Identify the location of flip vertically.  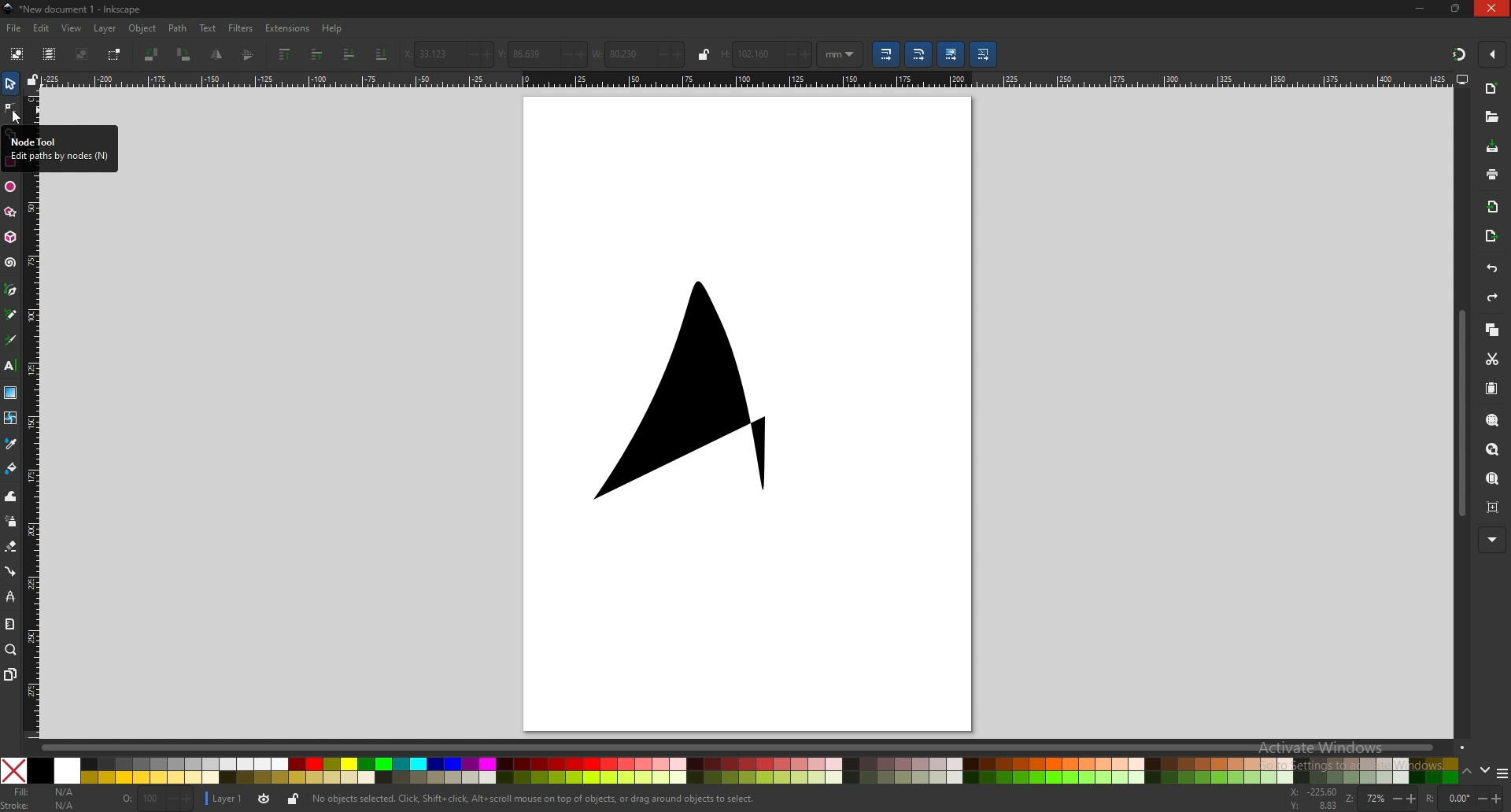
(216, 54).